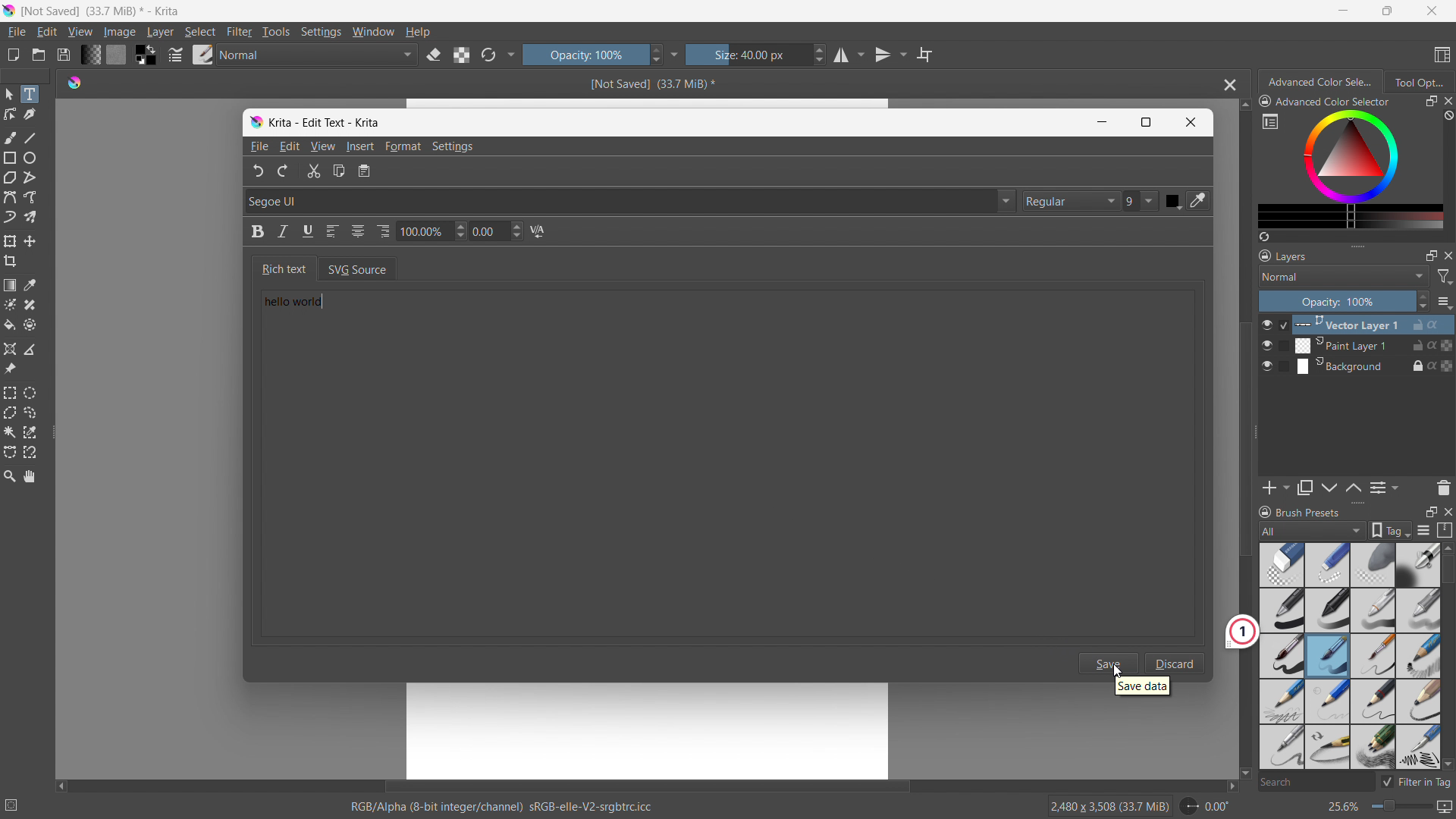  Describe the element at coordinates (30, 349) in the screenshot. I see `measure the distance between two points` at that location.